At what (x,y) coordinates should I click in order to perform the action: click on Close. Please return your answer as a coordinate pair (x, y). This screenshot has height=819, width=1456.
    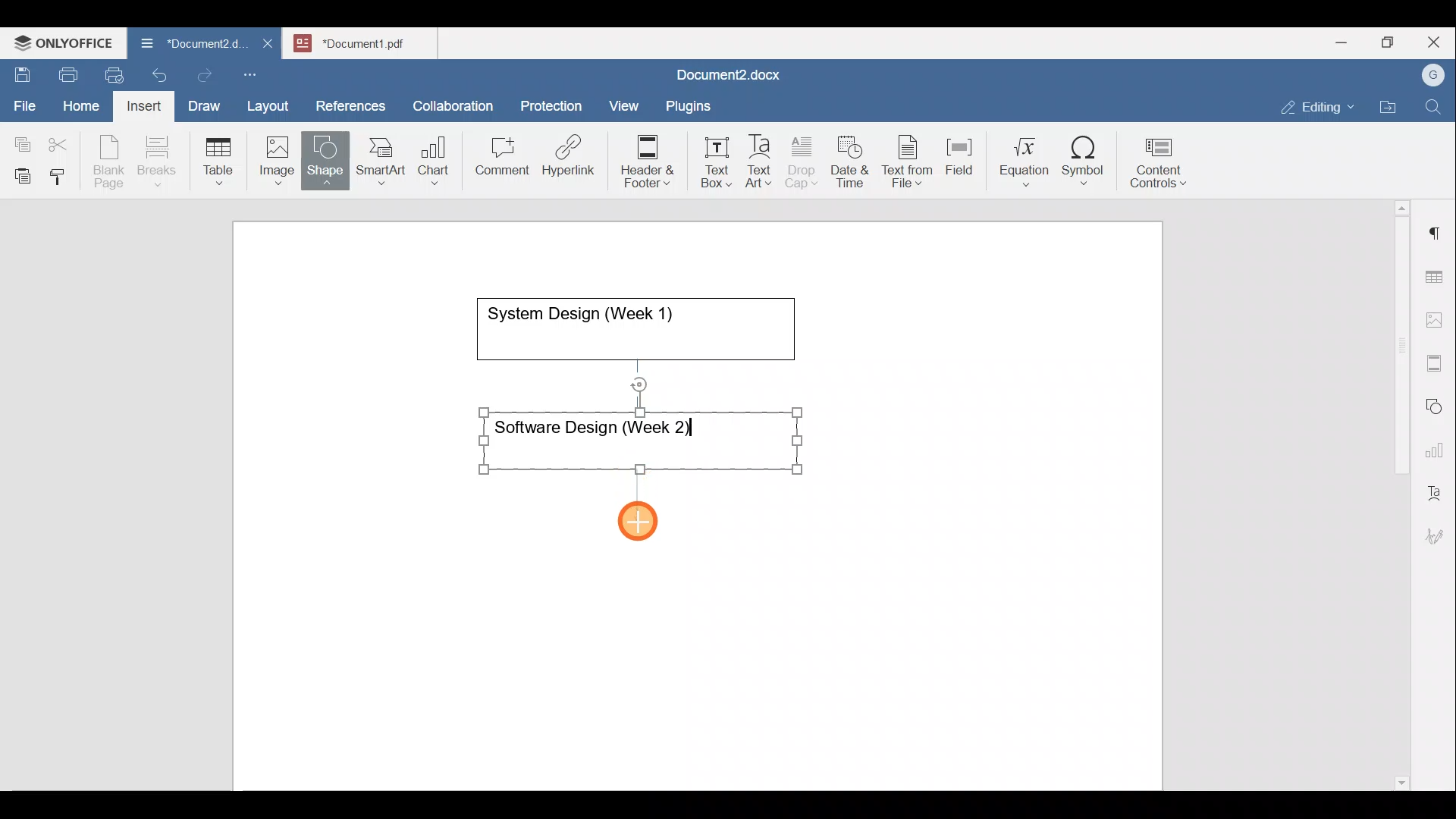
    Looking at the image, I should click on (1436, 43).